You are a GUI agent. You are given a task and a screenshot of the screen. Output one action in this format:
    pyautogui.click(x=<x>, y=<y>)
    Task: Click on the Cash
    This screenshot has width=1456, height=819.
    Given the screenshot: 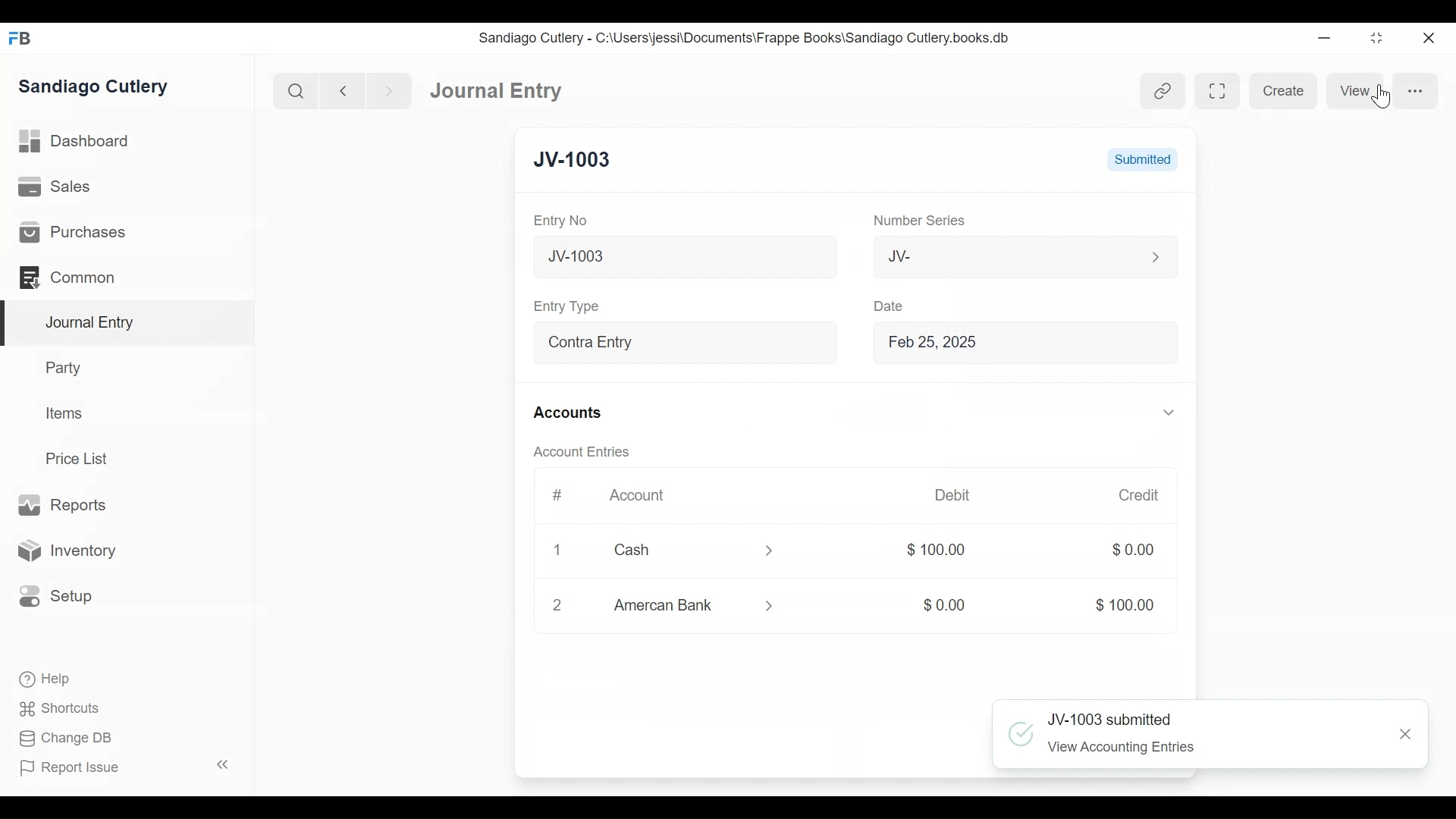 What is the action you would take?
    pyautogui.click(x=667, y=551)
    